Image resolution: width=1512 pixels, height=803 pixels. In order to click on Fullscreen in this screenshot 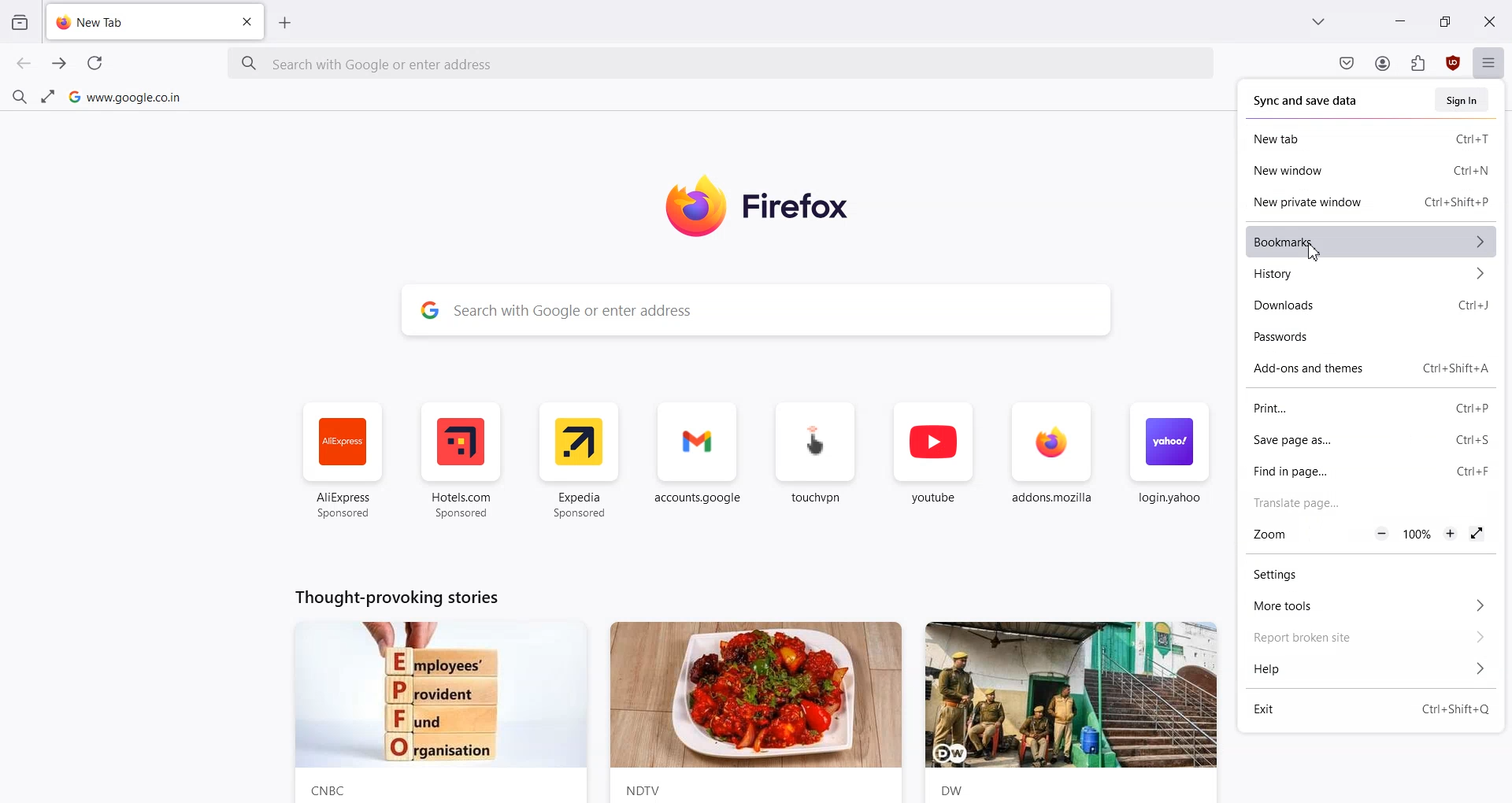, I will do `click(48, 95)`.